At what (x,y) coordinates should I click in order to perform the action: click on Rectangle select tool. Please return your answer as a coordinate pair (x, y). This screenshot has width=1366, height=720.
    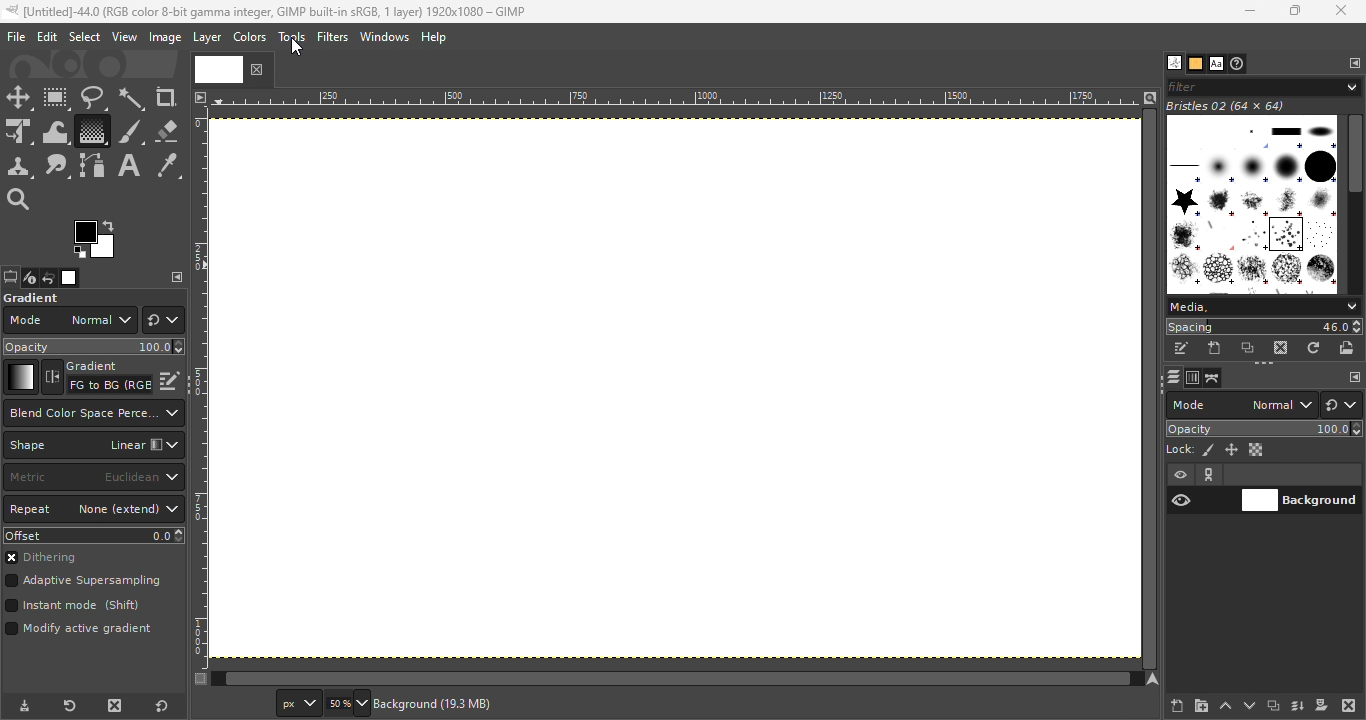
    Looking at the image, I should click on (57, 99).